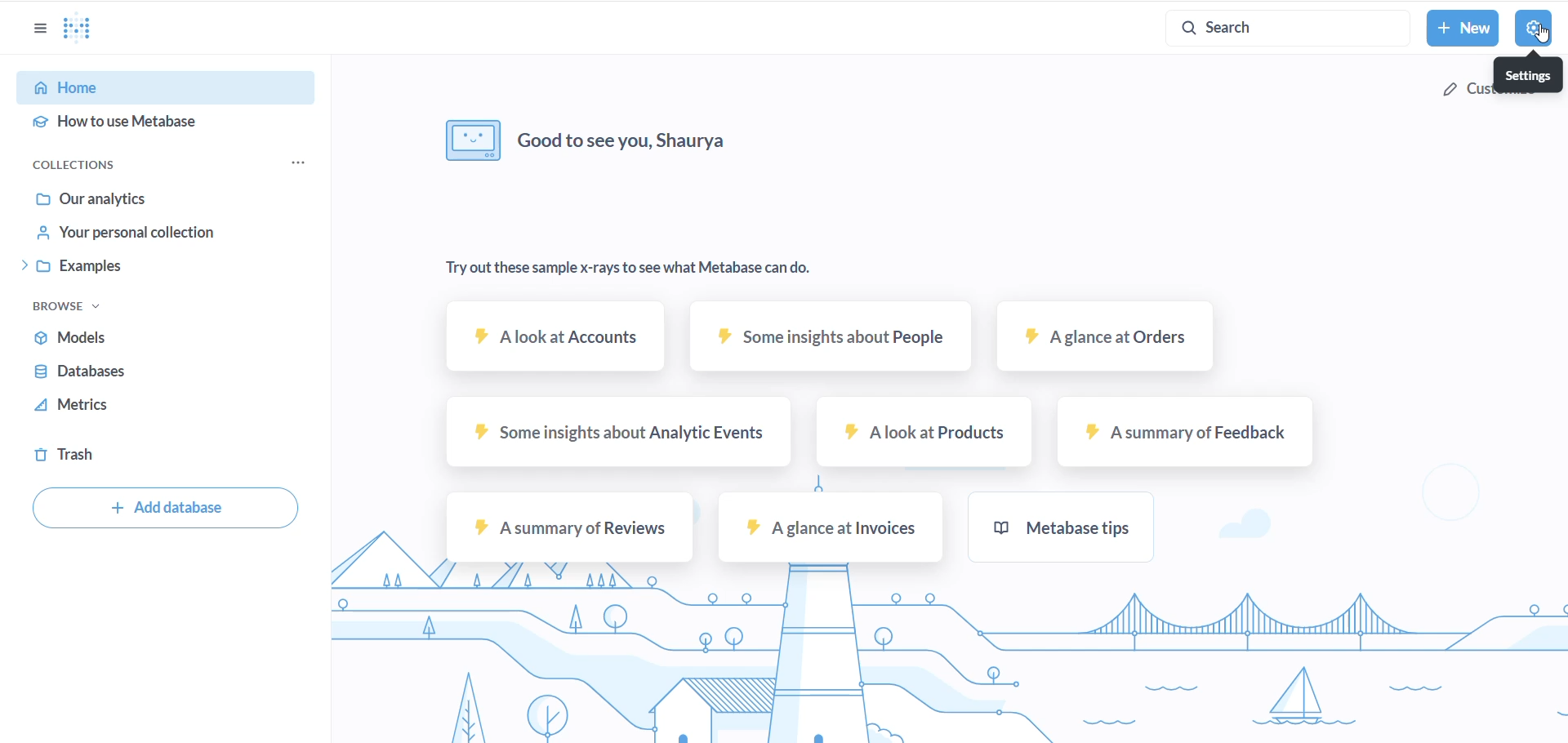 This screenshot has width=1568, height=743. I want to click on DATABASE, so click(109, 373).